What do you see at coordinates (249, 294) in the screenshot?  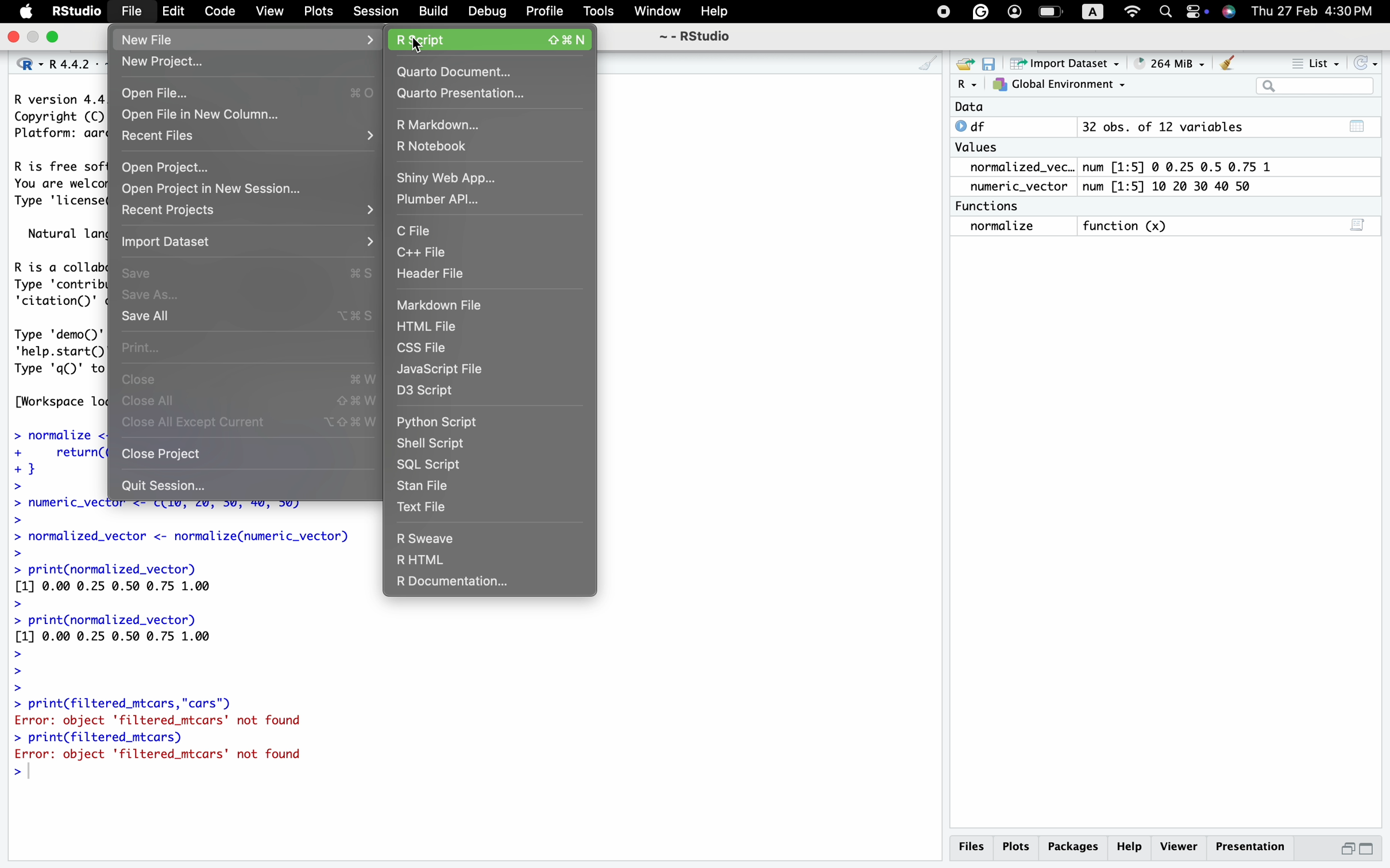 I see `save as` at bounding box center [249, 294].